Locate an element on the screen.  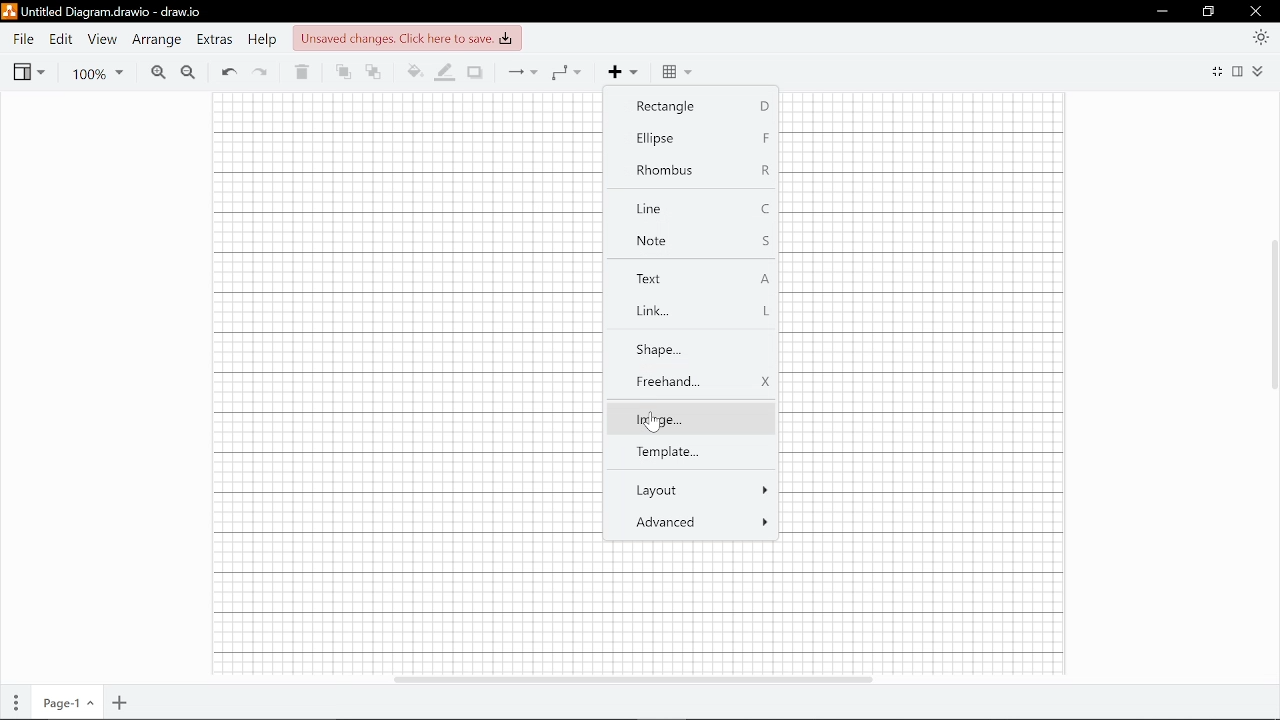
Advanced is located at coordinates (688, 524).